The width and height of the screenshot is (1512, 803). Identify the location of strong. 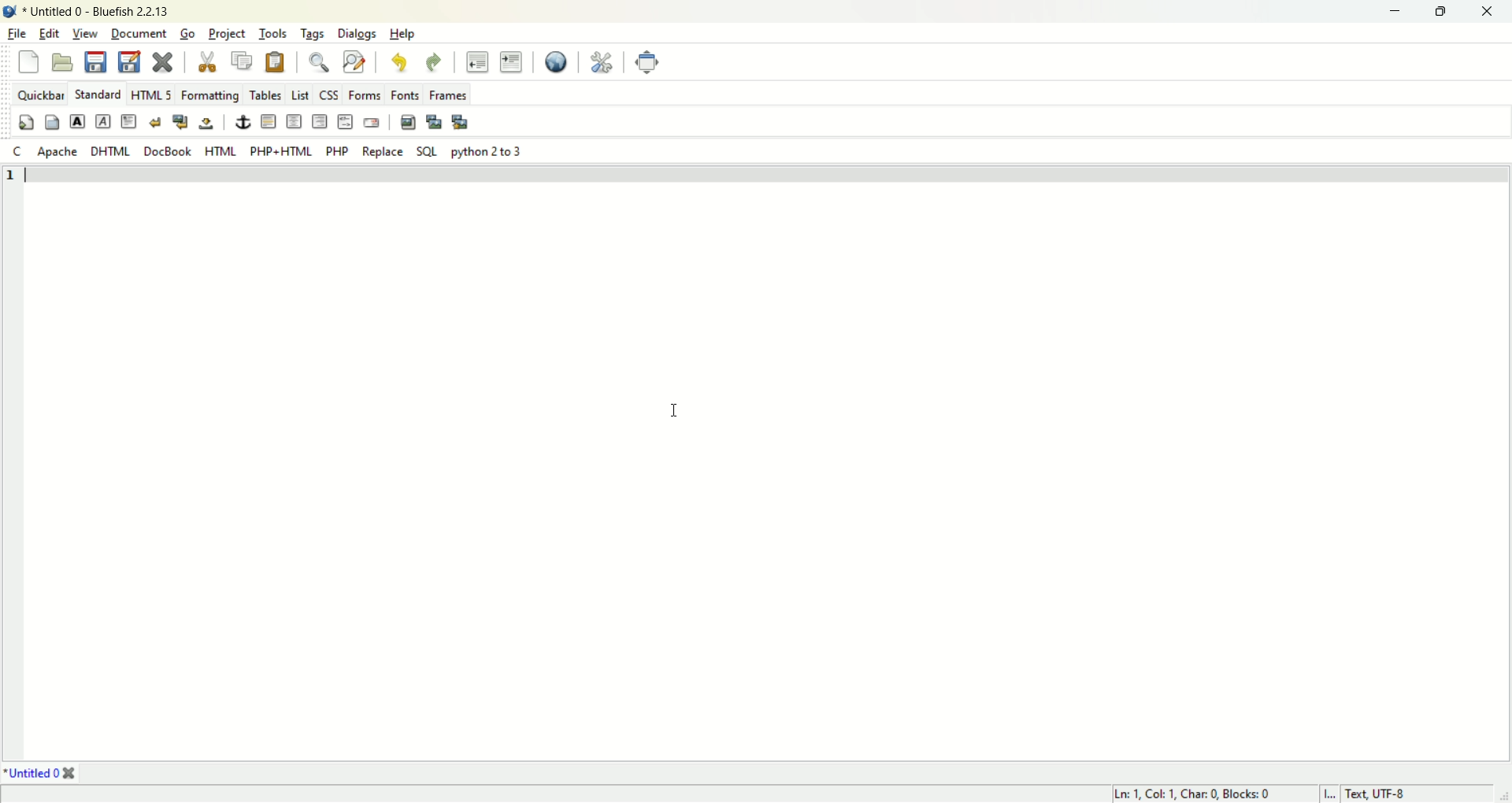
(77, 120).